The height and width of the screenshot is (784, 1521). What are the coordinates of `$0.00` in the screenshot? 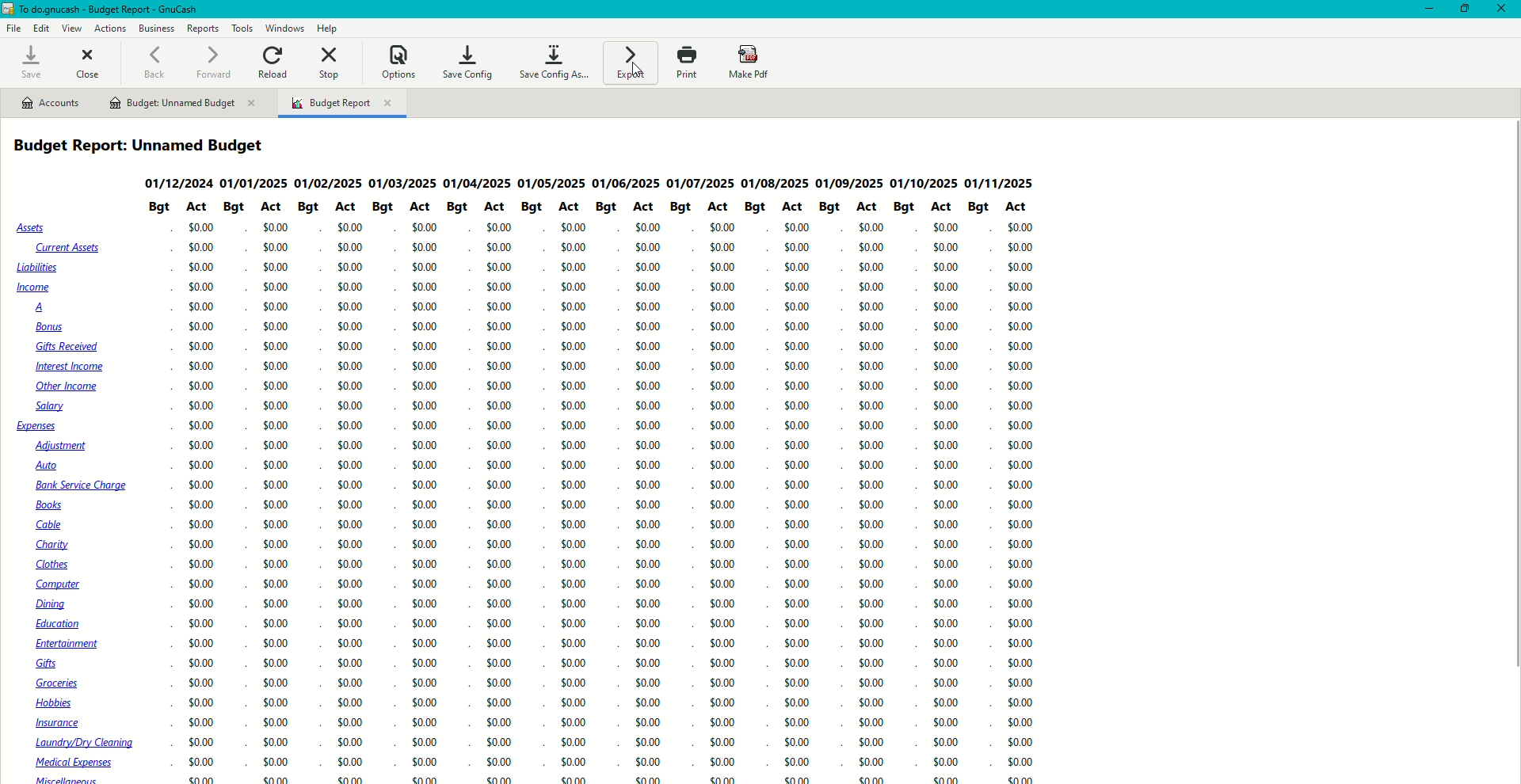 It's located at (650, 702).